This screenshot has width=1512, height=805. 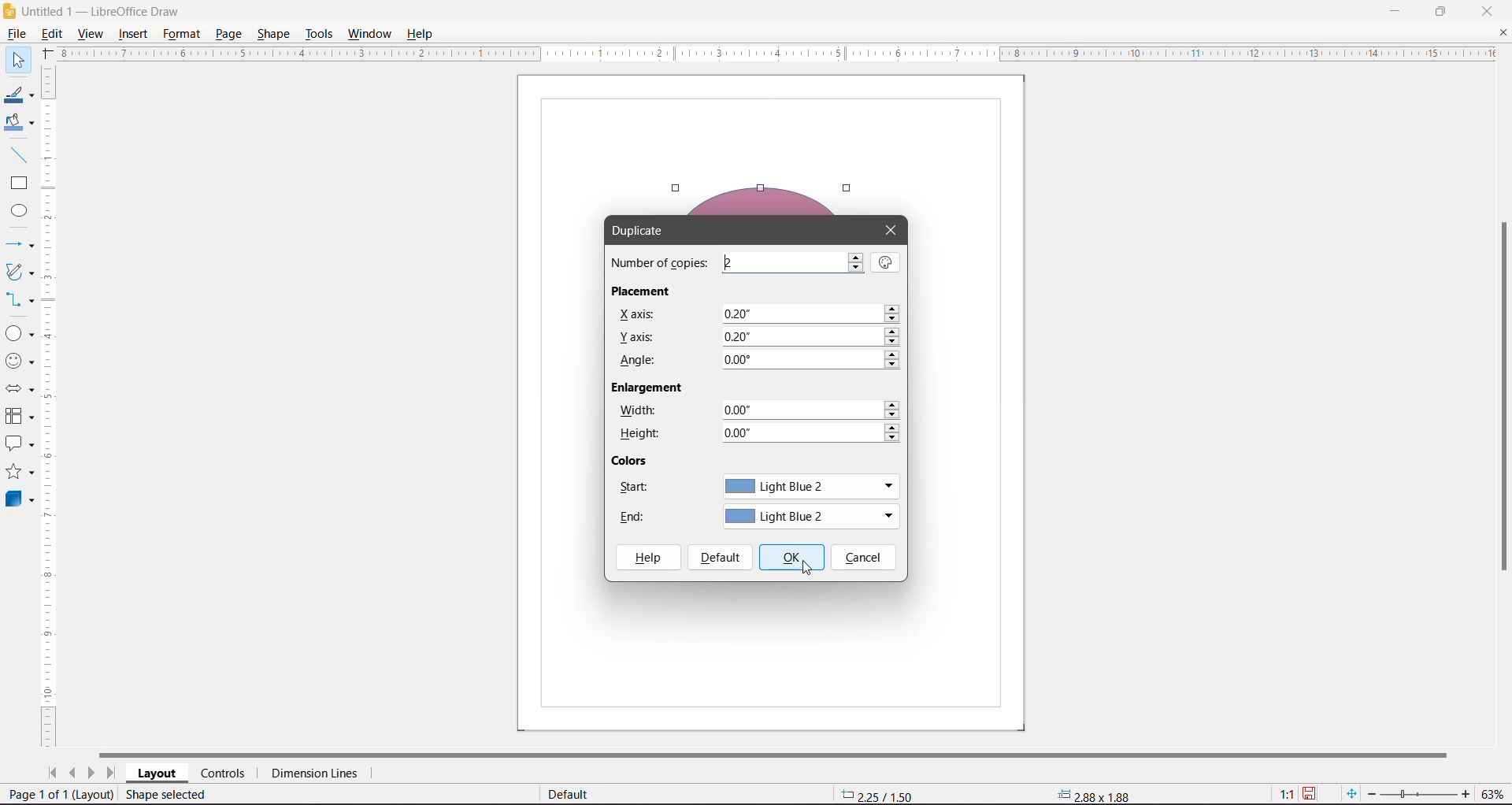 What do you see at coordinates (641, 434) in the screenshot?
I see `Height` at bounding box center [641, 434].